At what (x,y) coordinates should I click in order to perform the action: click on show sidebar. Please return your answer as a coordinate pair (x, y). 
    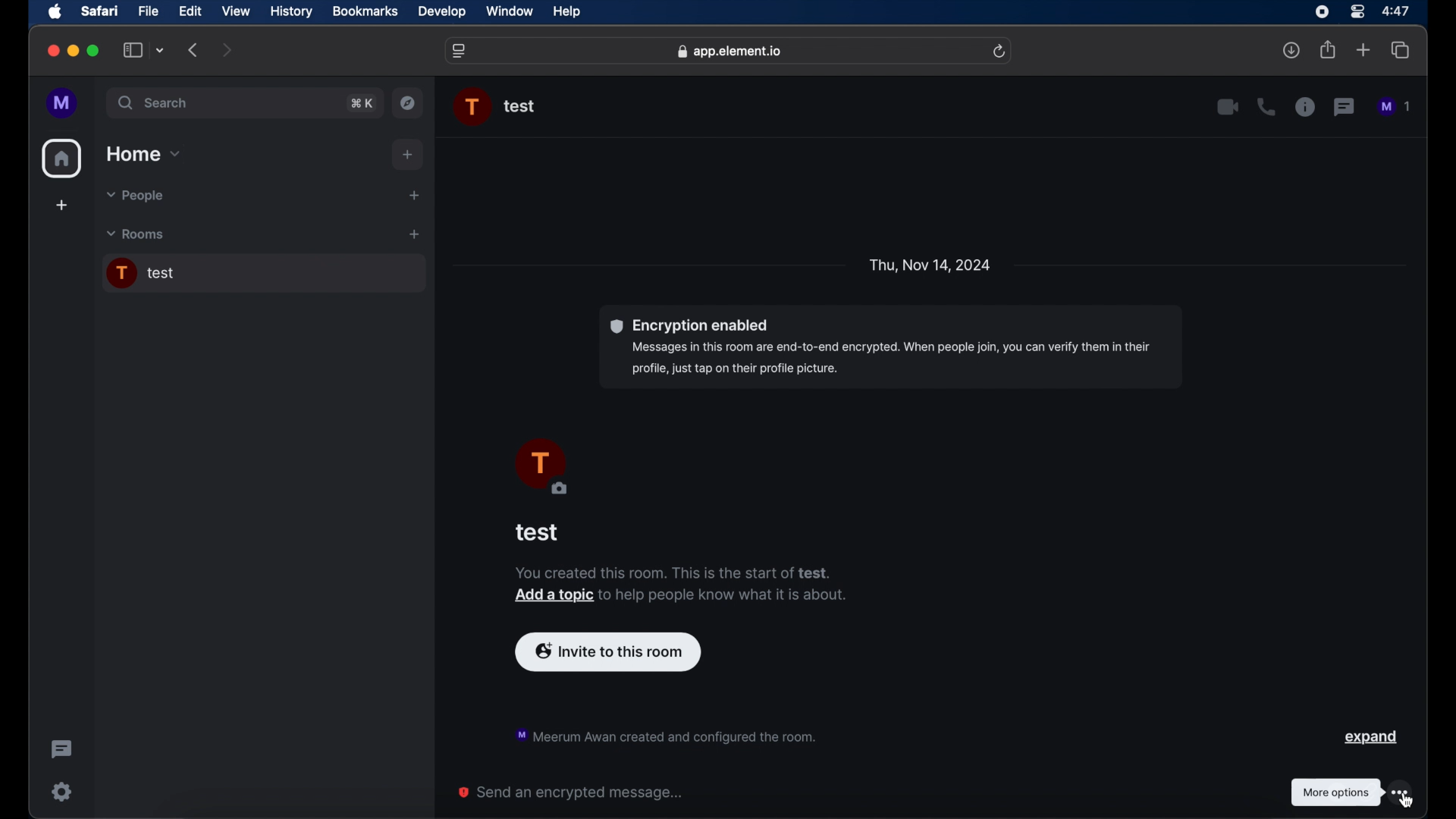
    Looking at the image, I should click on (132, 51).